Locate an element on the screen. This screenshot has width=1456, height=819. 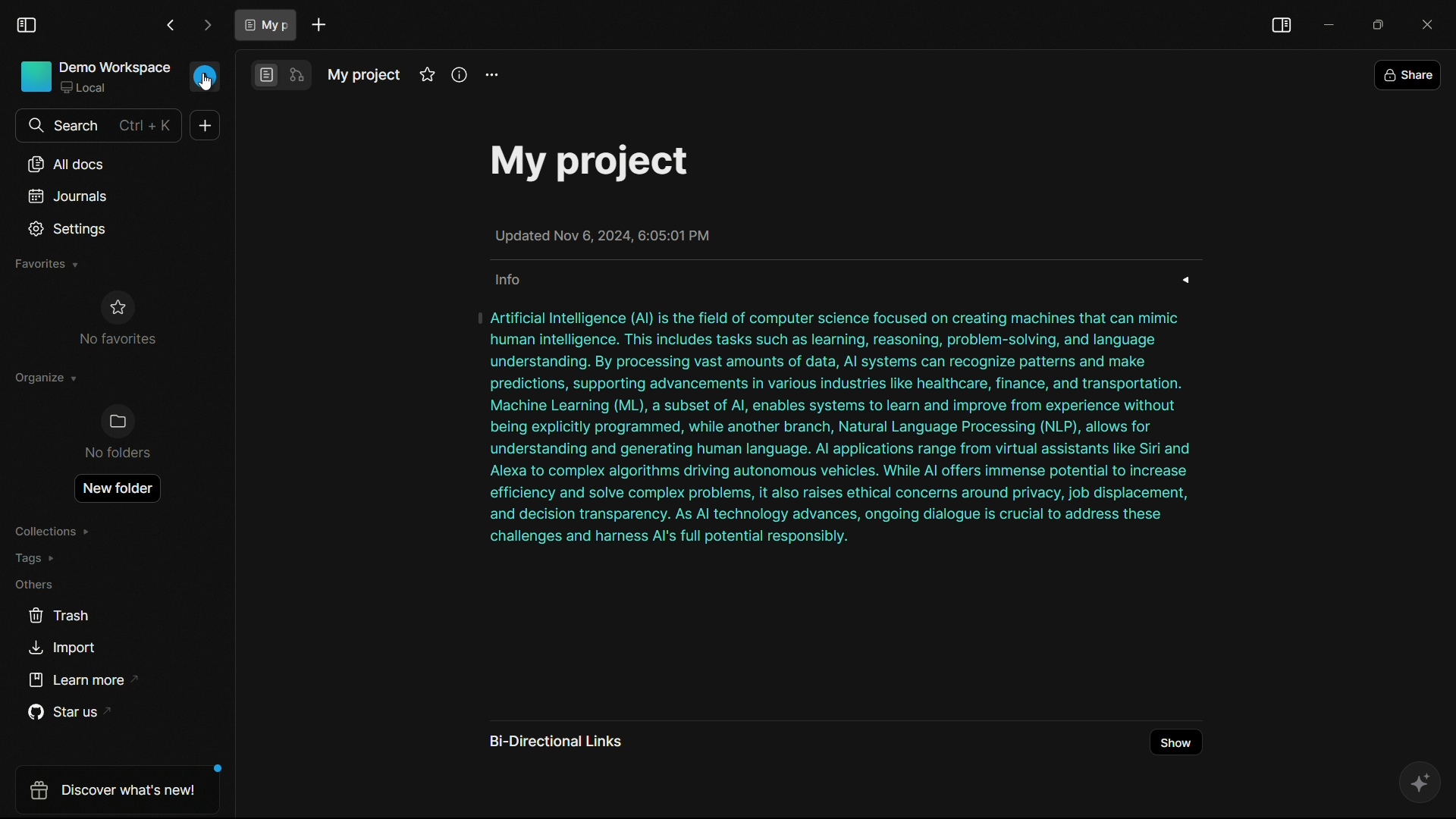
no folders is located at coordinates (120, 435).